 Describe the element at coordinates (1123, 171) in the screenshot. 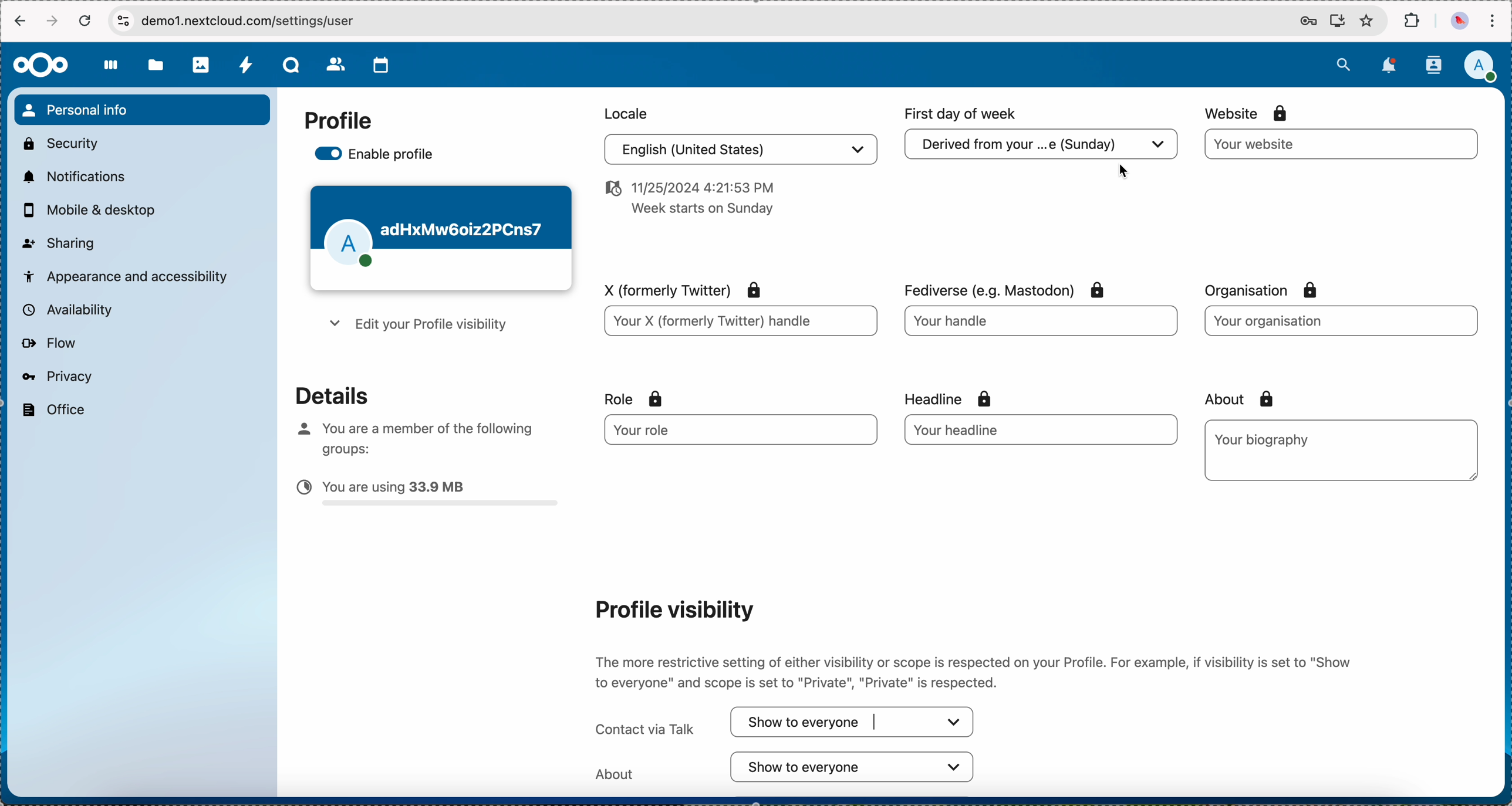

I see `mouse` at that location.